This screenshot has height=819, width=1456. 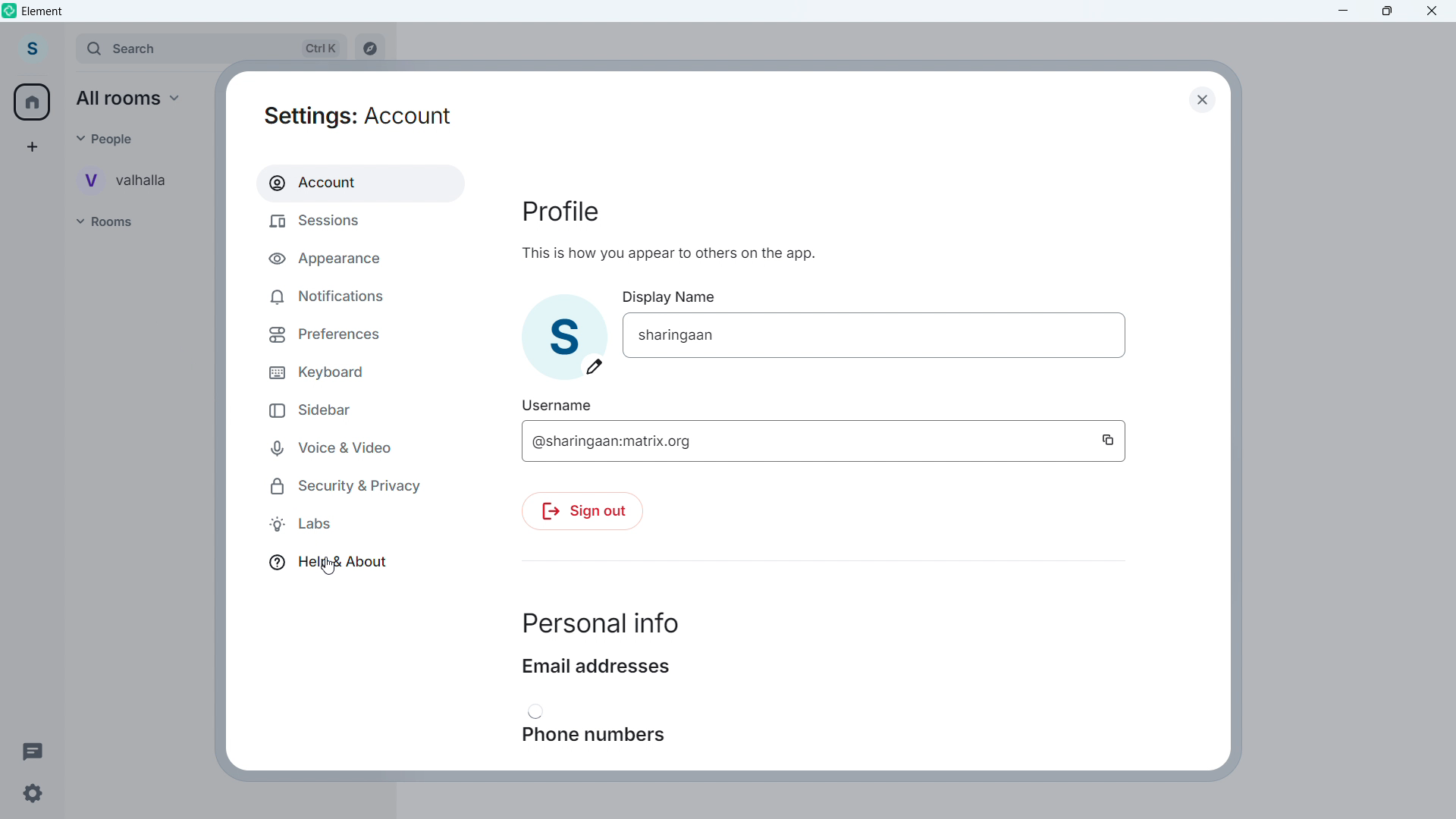 I want to click on Account , so click(x=31, y=49).